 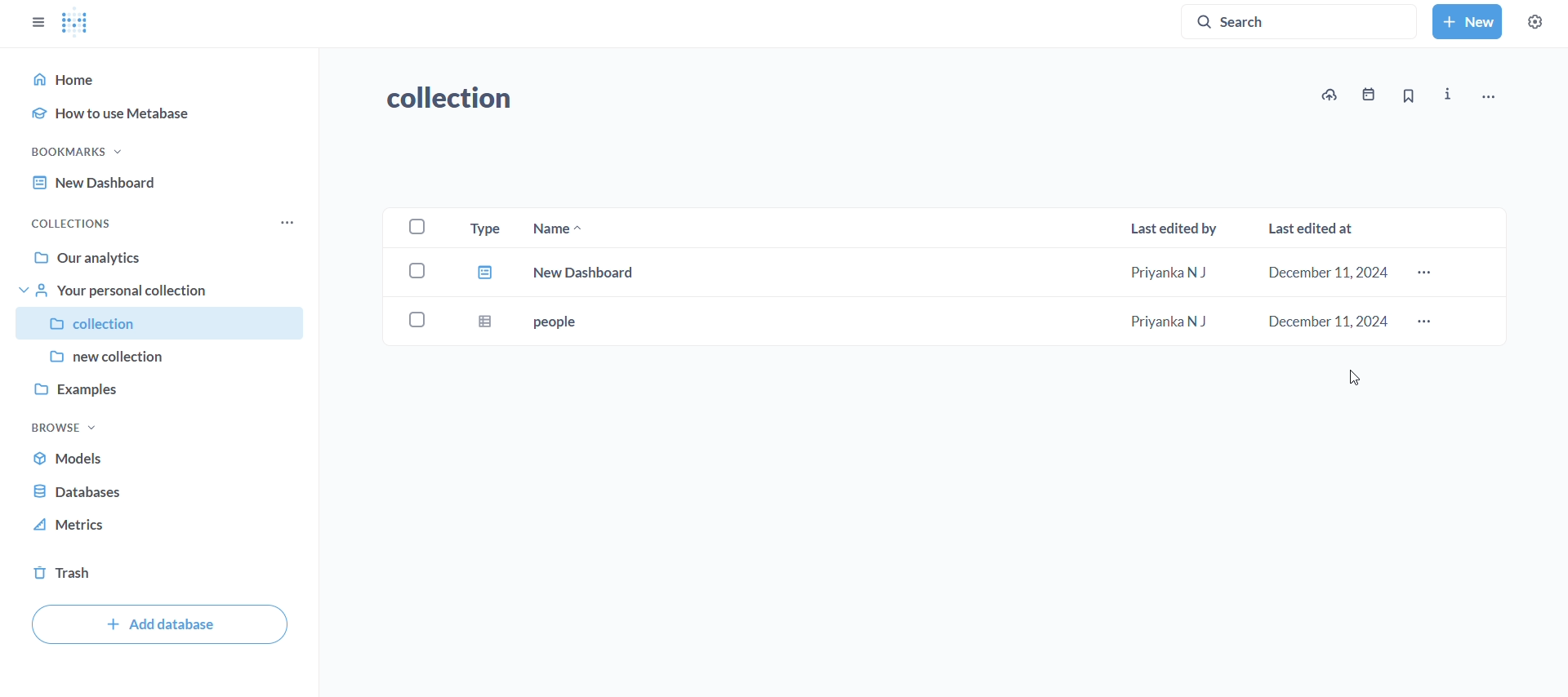 I want to click on logo, so click(x=76, y=24).